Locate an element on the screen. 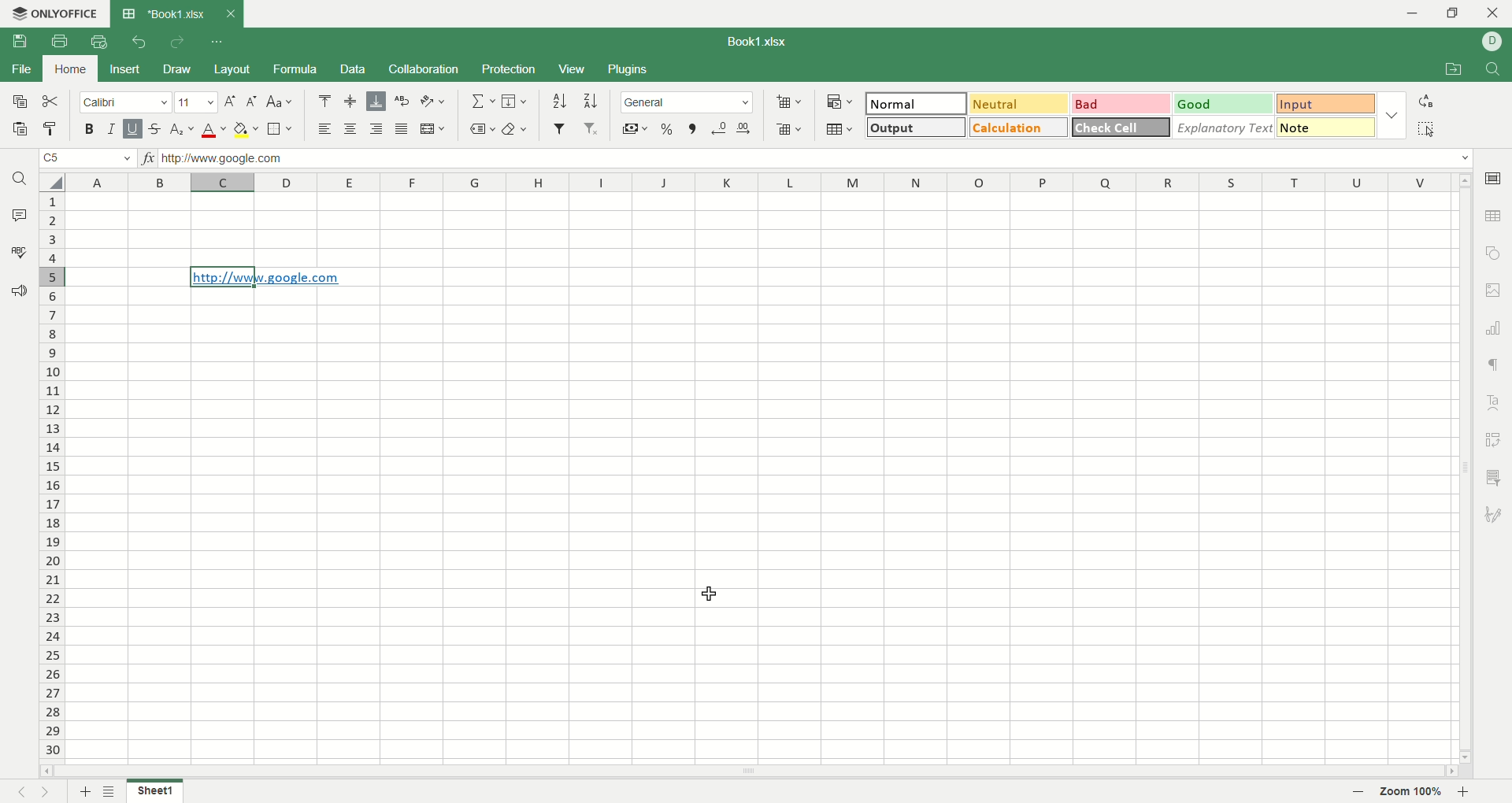 This screenshot has width=1512, height=803. home is located at coordinates (72, 68).